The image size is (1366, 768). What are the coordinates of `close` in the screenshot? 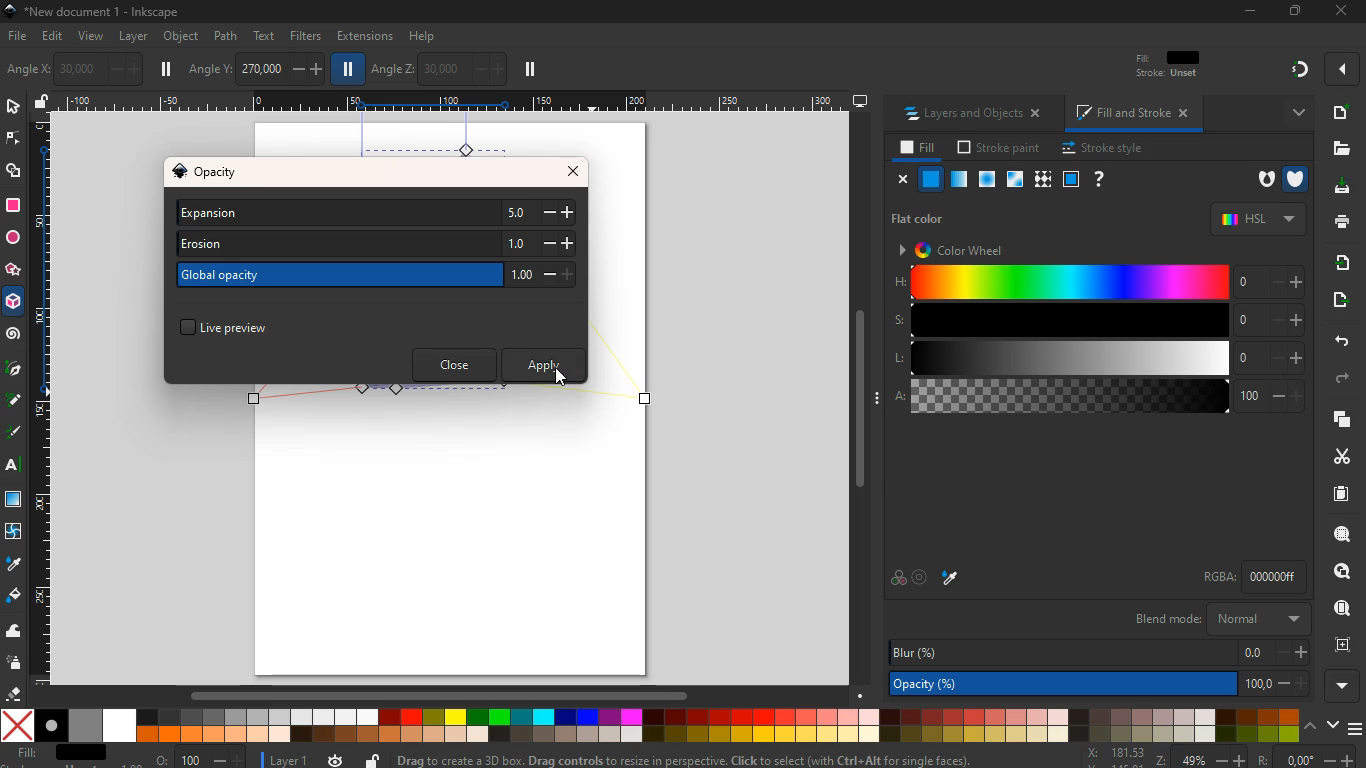 It's located at (577, 171).